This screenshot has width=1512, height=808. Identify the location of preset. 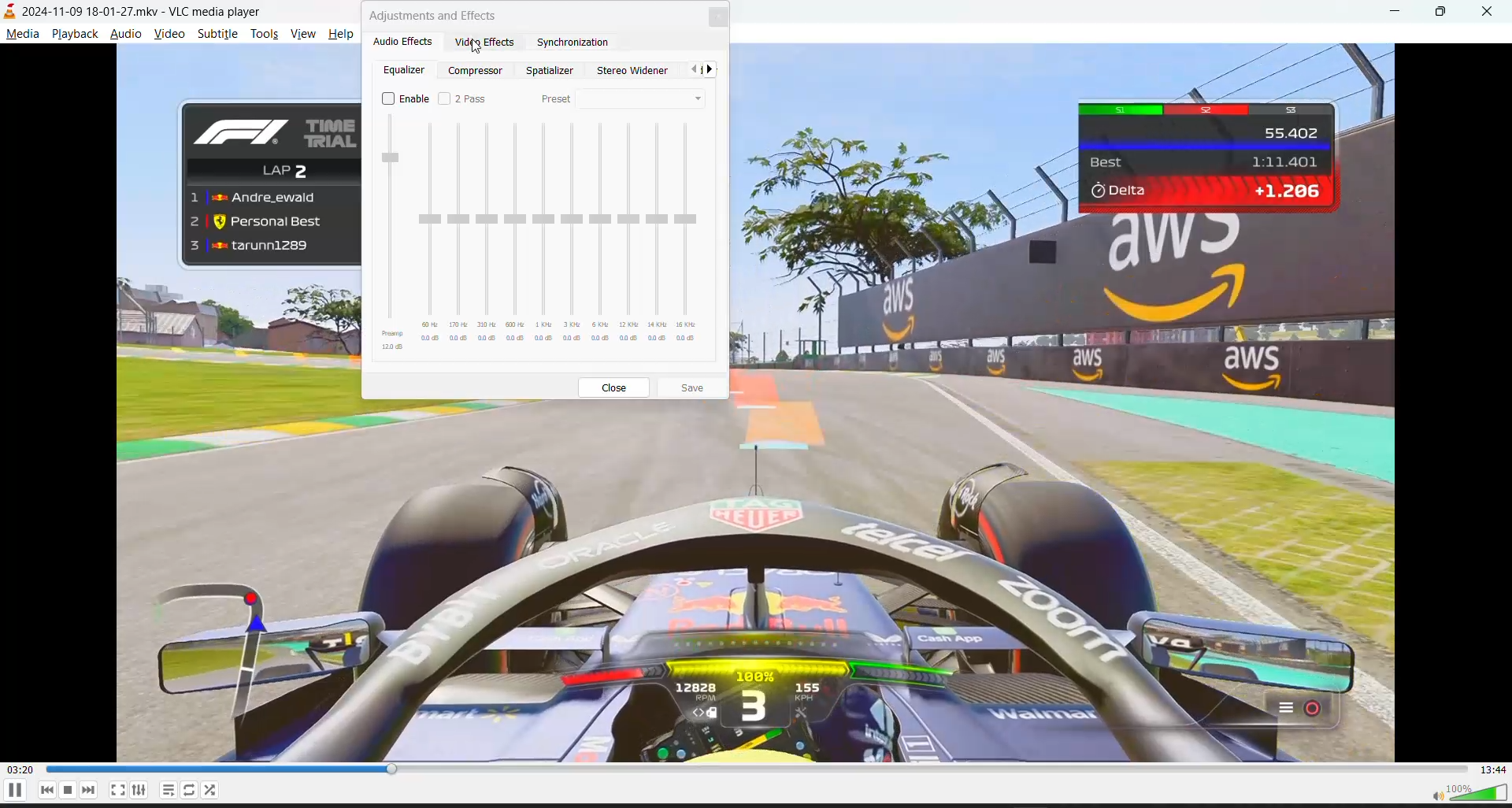
(623, 101).